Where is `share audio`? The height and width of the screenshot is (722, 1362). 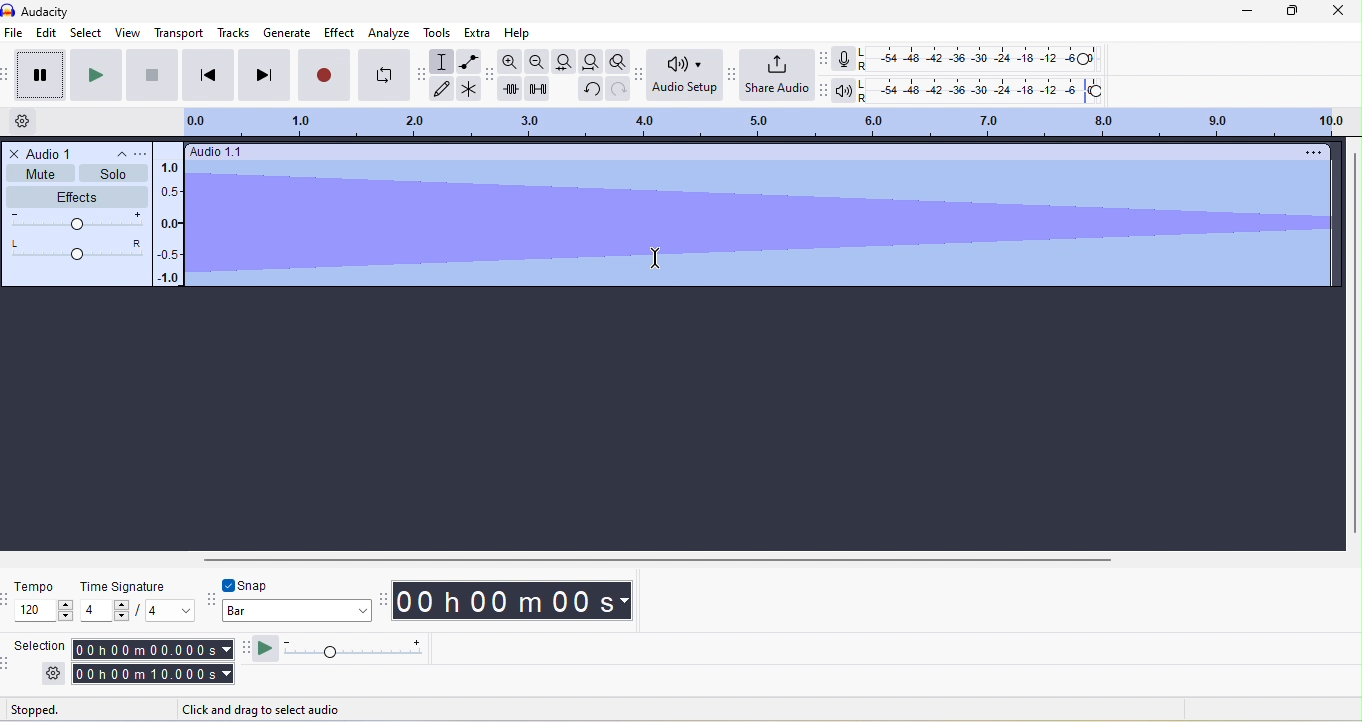
share audio is located at coordinates (779, 75).